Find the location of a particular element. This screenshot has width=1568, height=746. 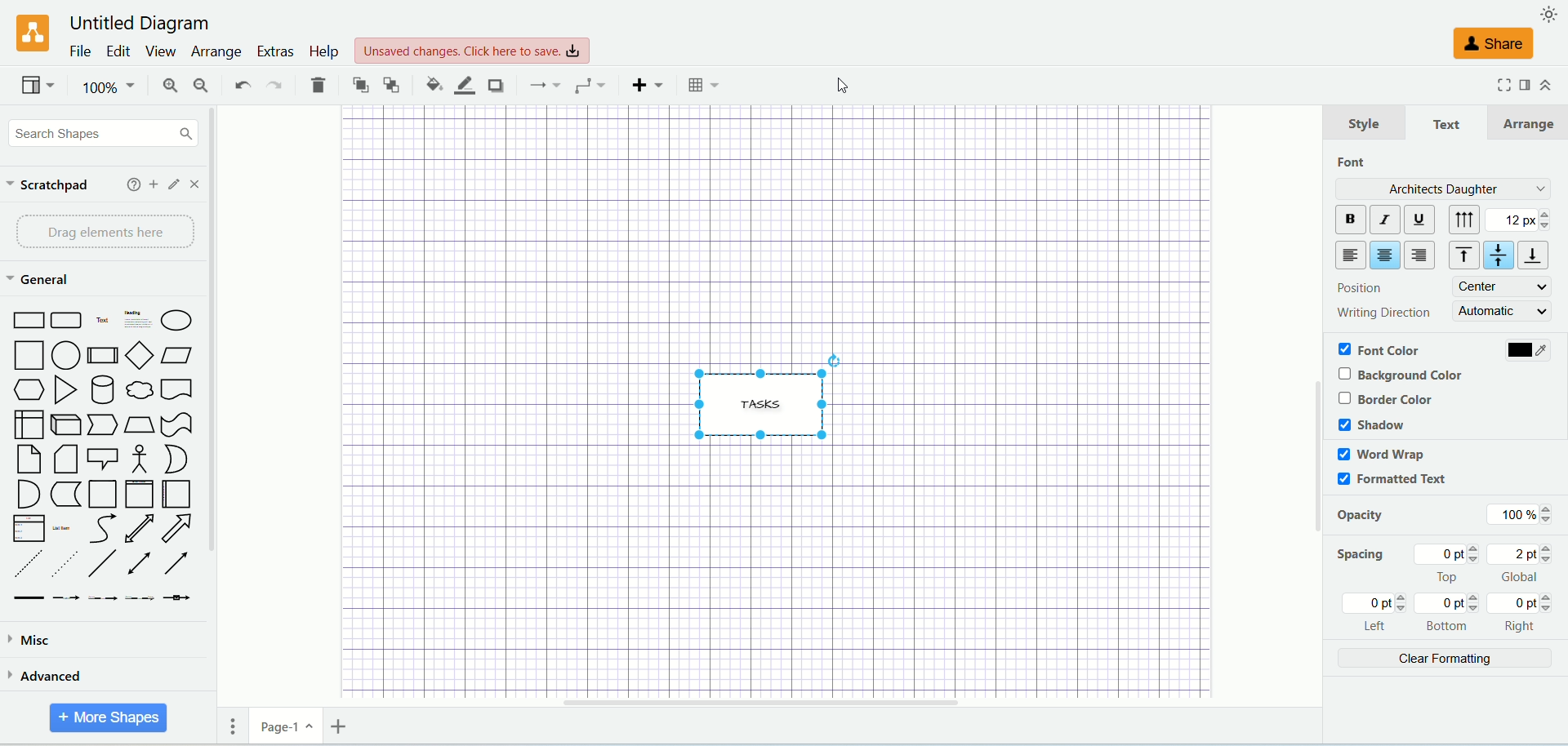

right is located at coordinates (1422, 255).